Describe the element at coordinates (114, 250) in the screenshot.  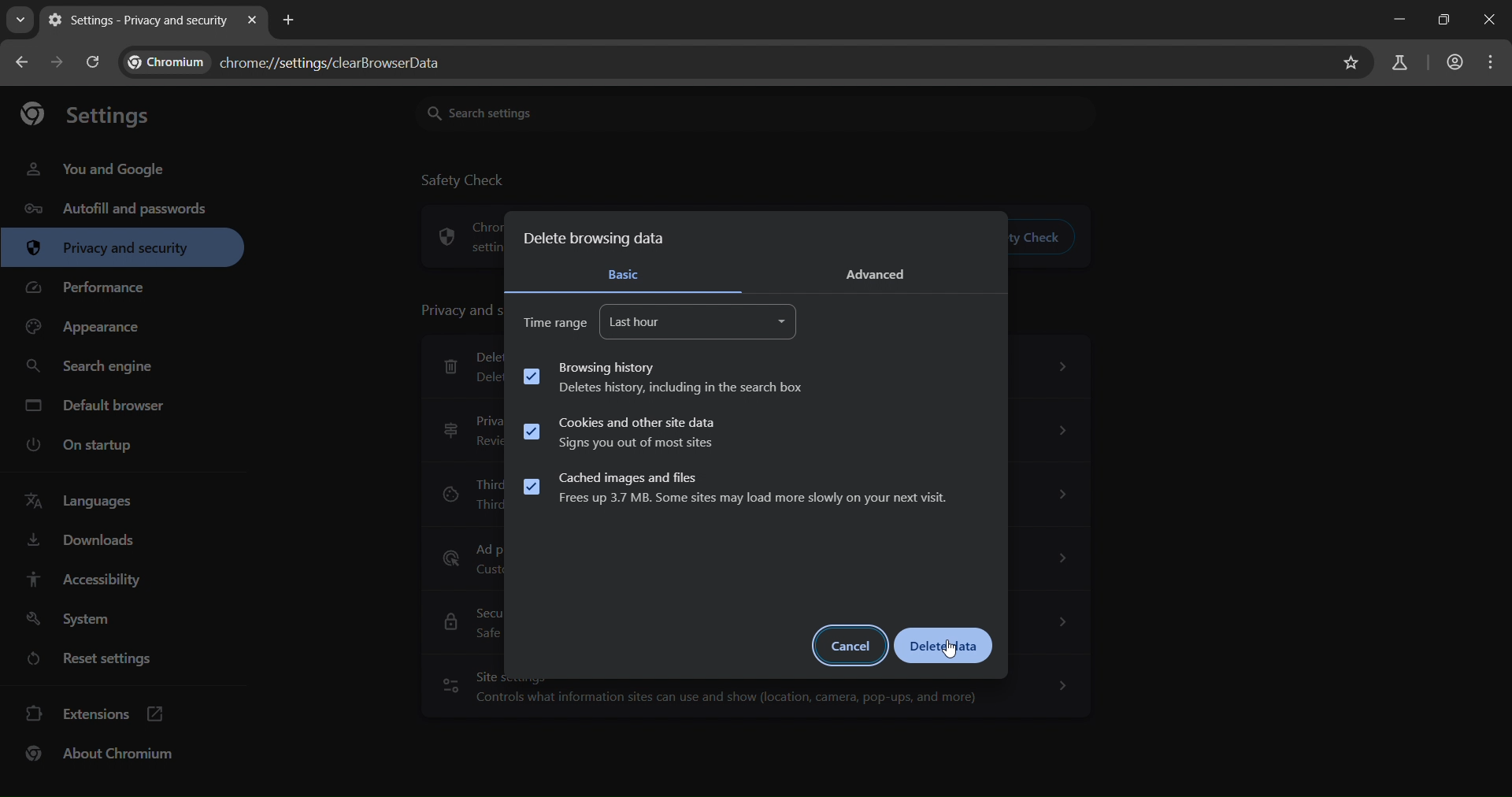
I see `privacy and security` at that location.